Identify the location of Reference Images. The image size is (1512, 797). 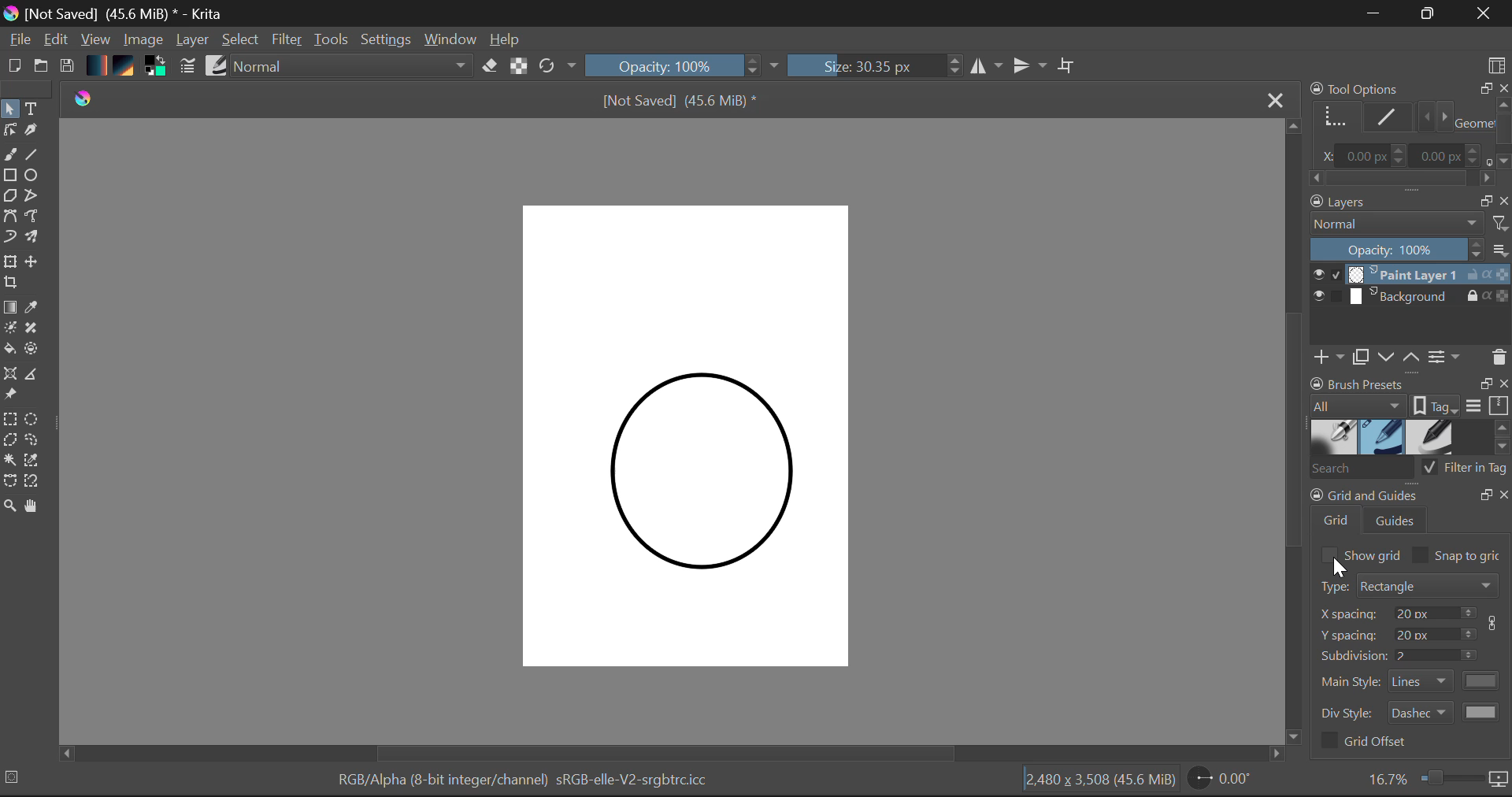
(10, 395).